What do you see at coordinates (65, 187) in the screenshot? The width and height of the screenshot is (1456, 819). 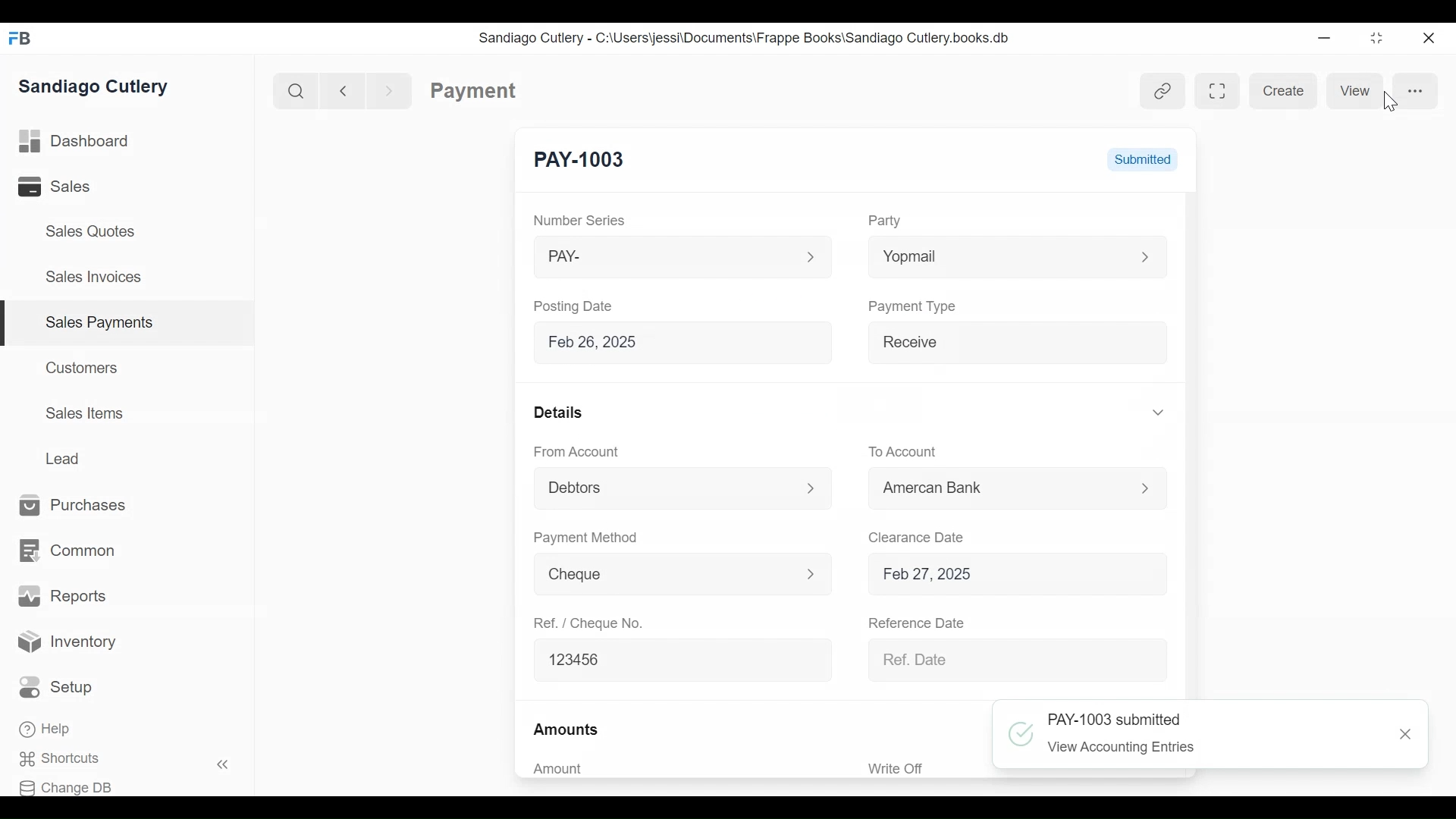 I see `Sales` at bounding box center [65, 187].